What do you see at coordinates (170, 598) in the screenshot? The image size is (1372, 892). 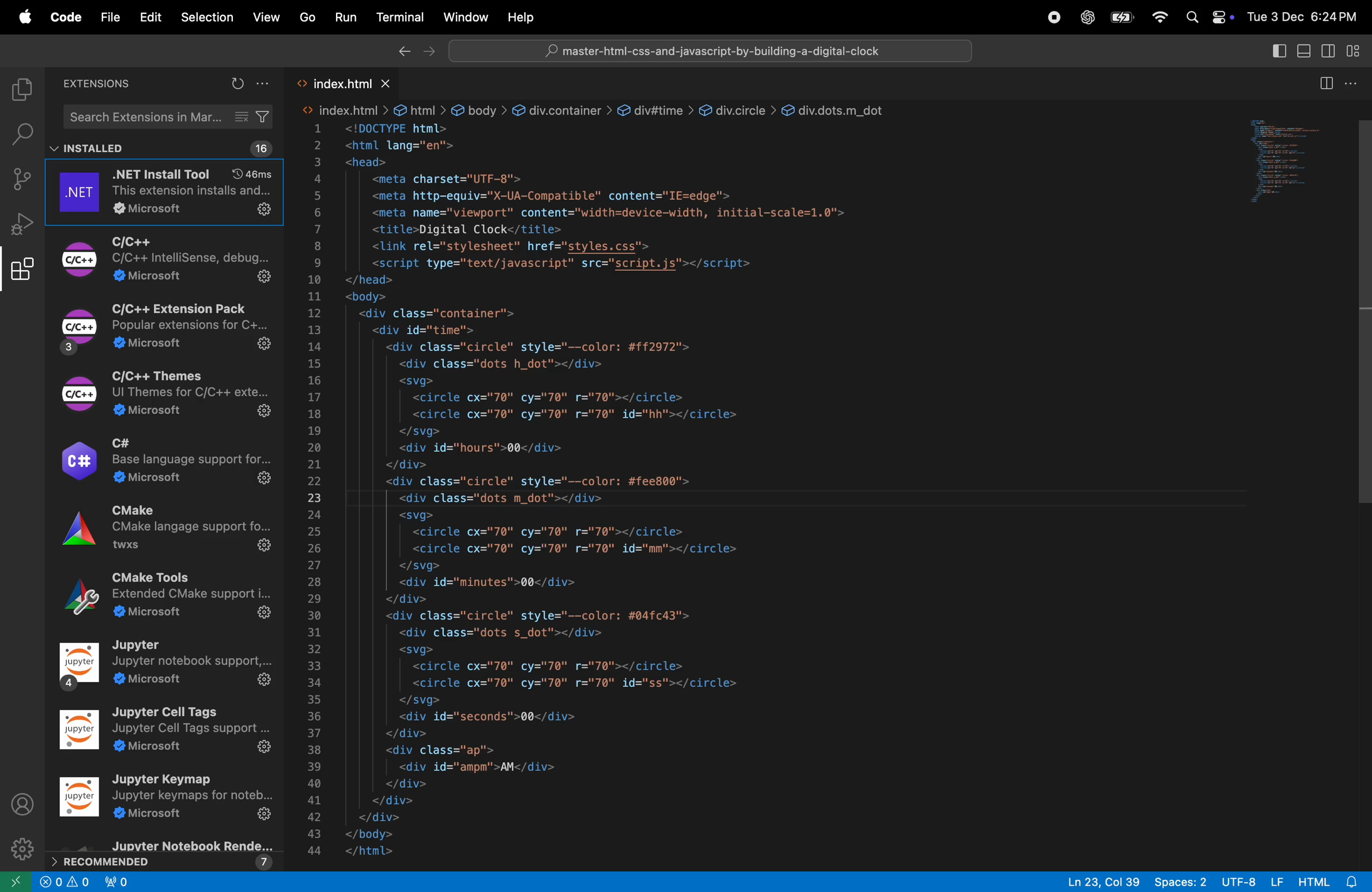 I see `Extensions Cmake tools` at bounding box center [170, 598].